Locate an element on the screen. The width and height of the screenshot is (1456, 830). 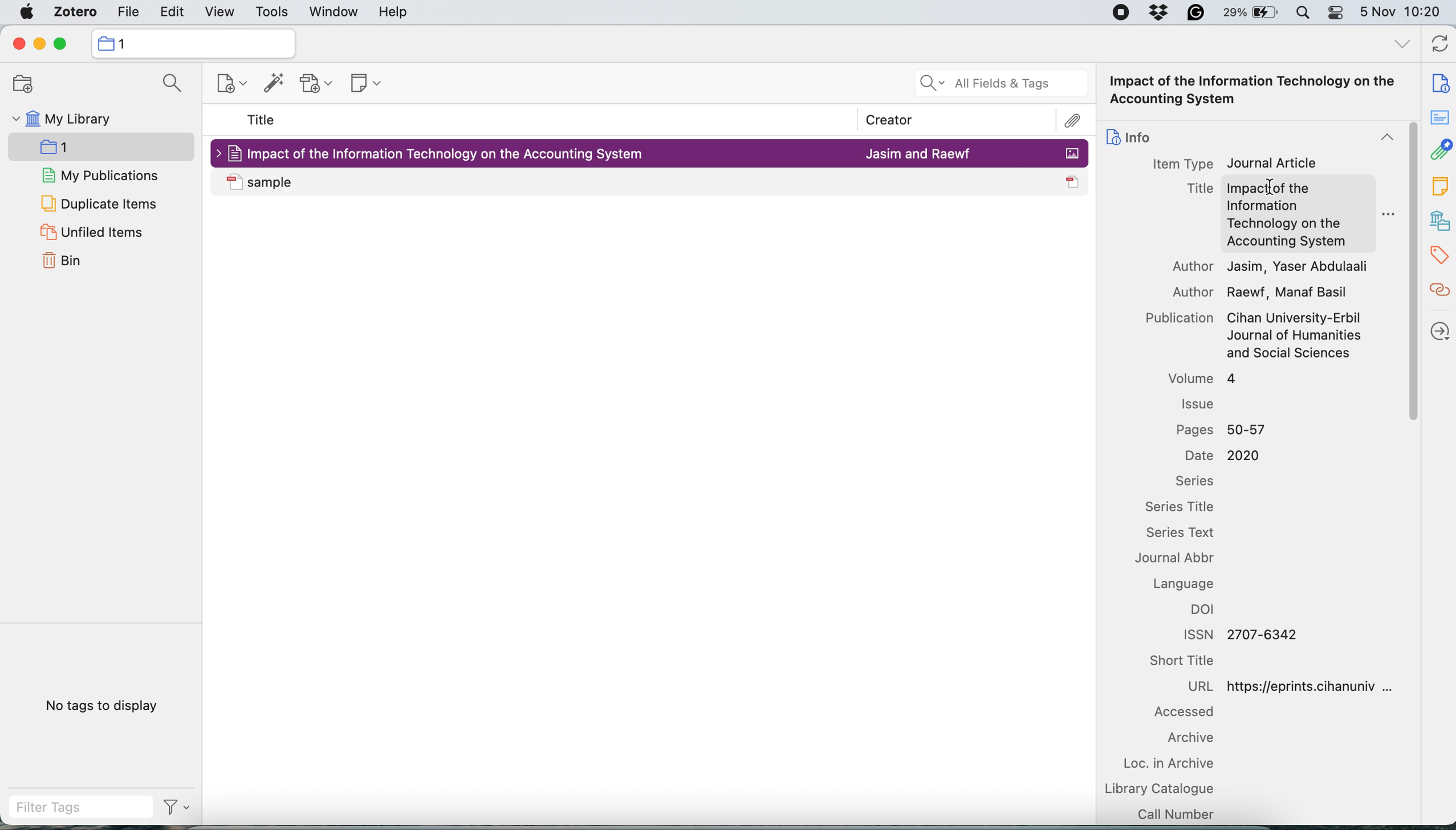
call number is located at coordinates (1179, 813).